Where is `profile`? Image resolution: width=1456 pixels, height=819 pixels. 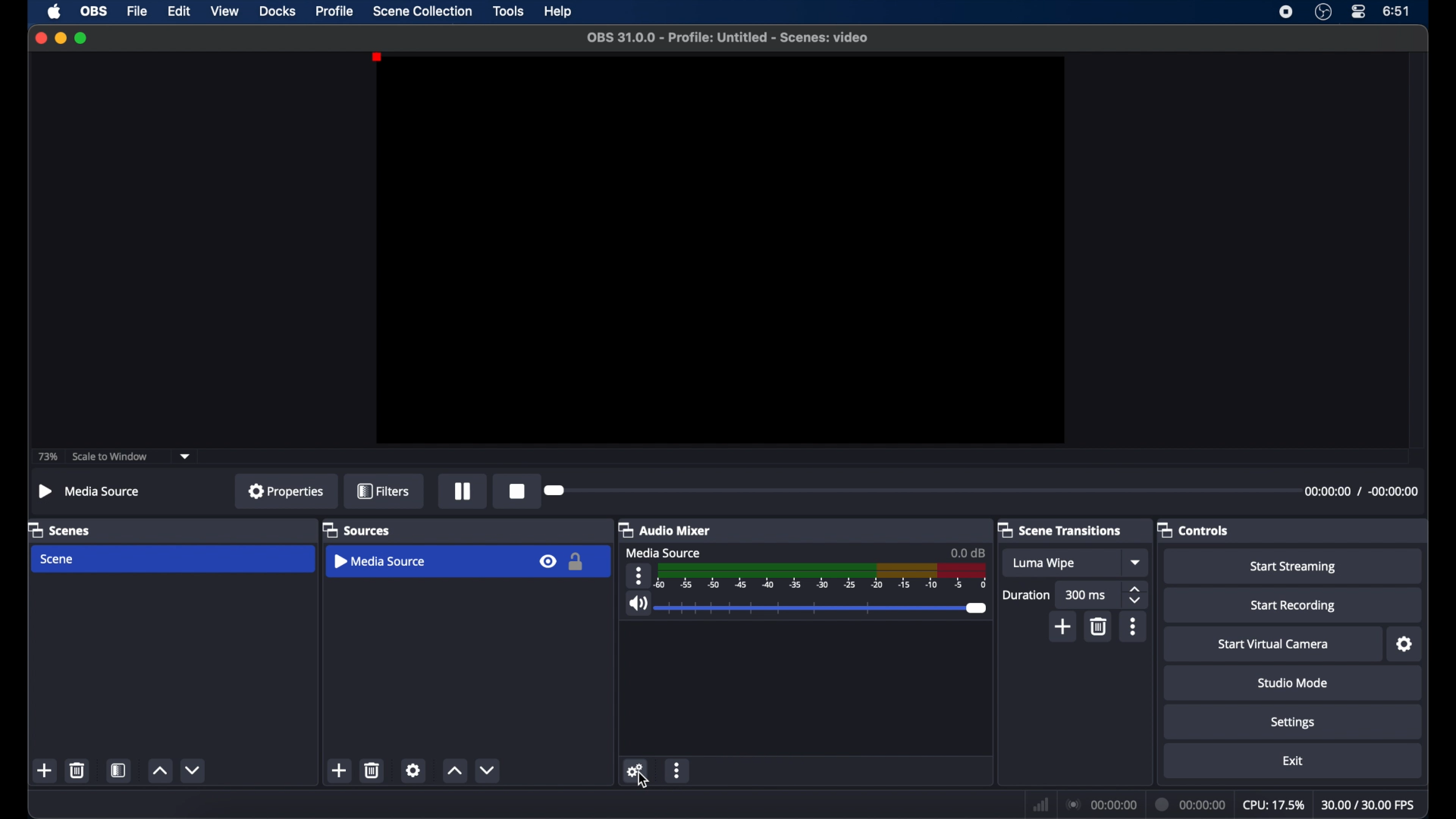 profile is located at coordinates (335, 11).